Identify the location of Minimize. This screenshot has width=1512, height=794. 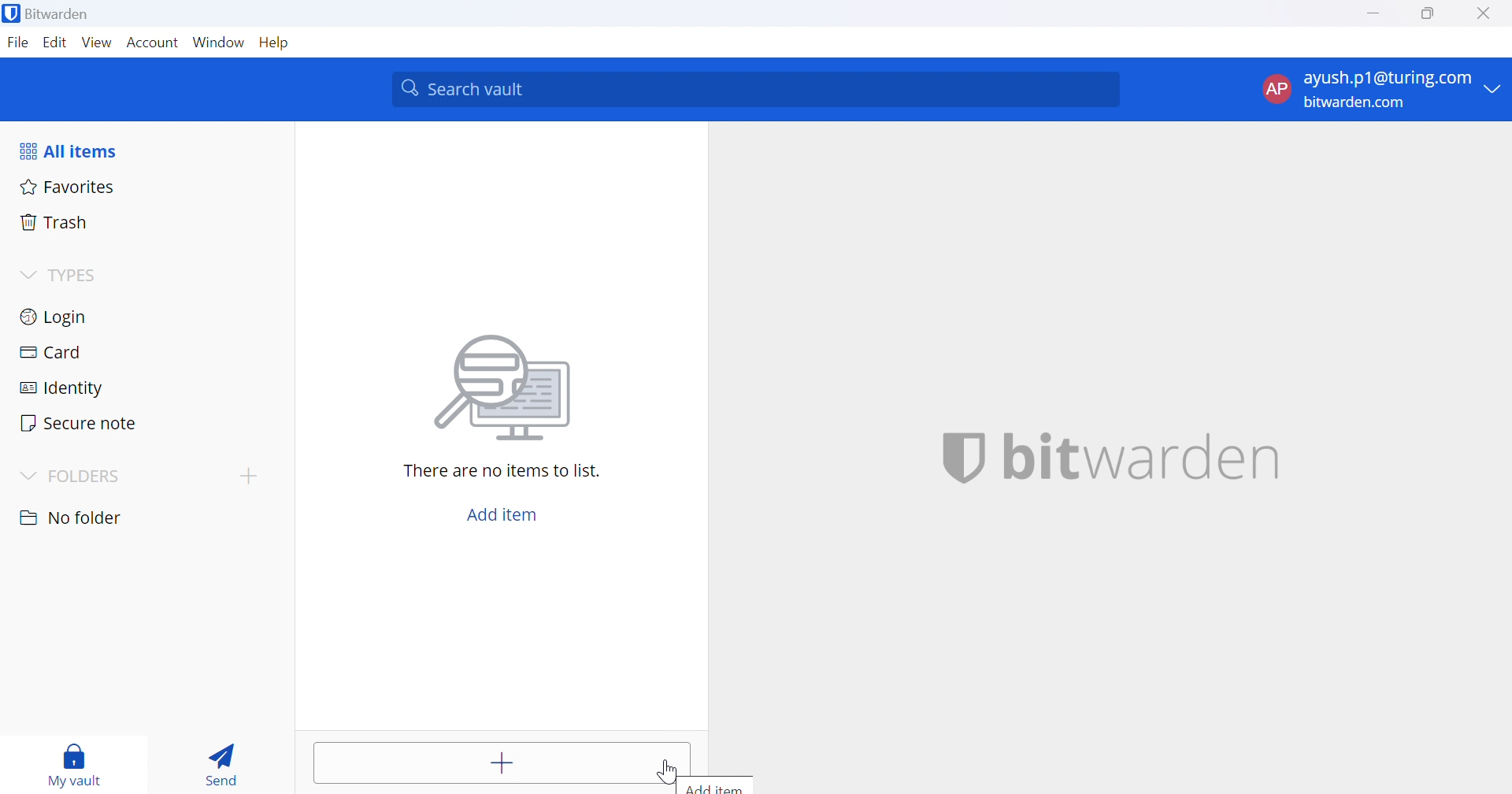
(1373, 15).